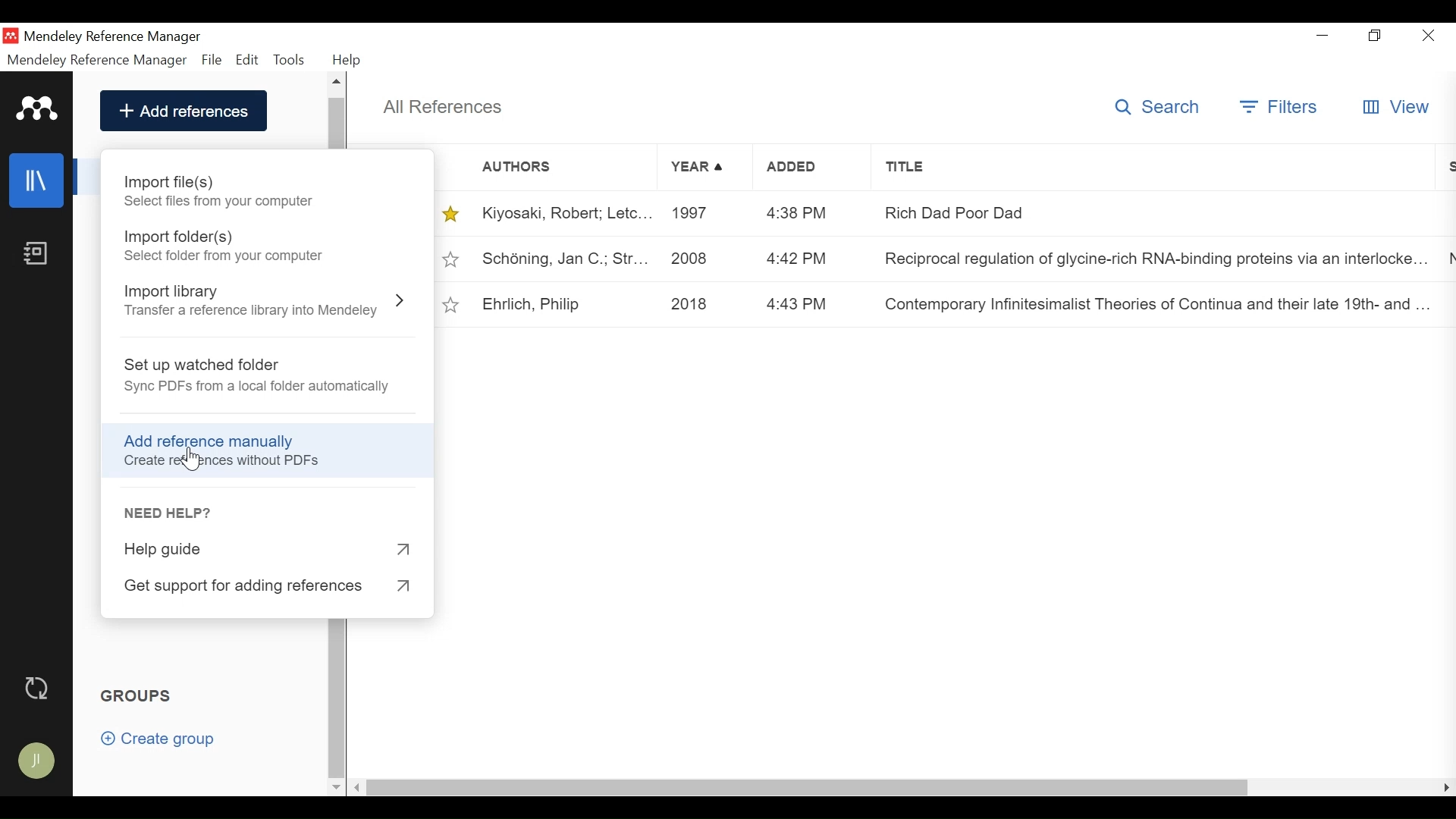 This screenshot has height=819, width=1456. I want to click on Import Library, so click(180, 292).